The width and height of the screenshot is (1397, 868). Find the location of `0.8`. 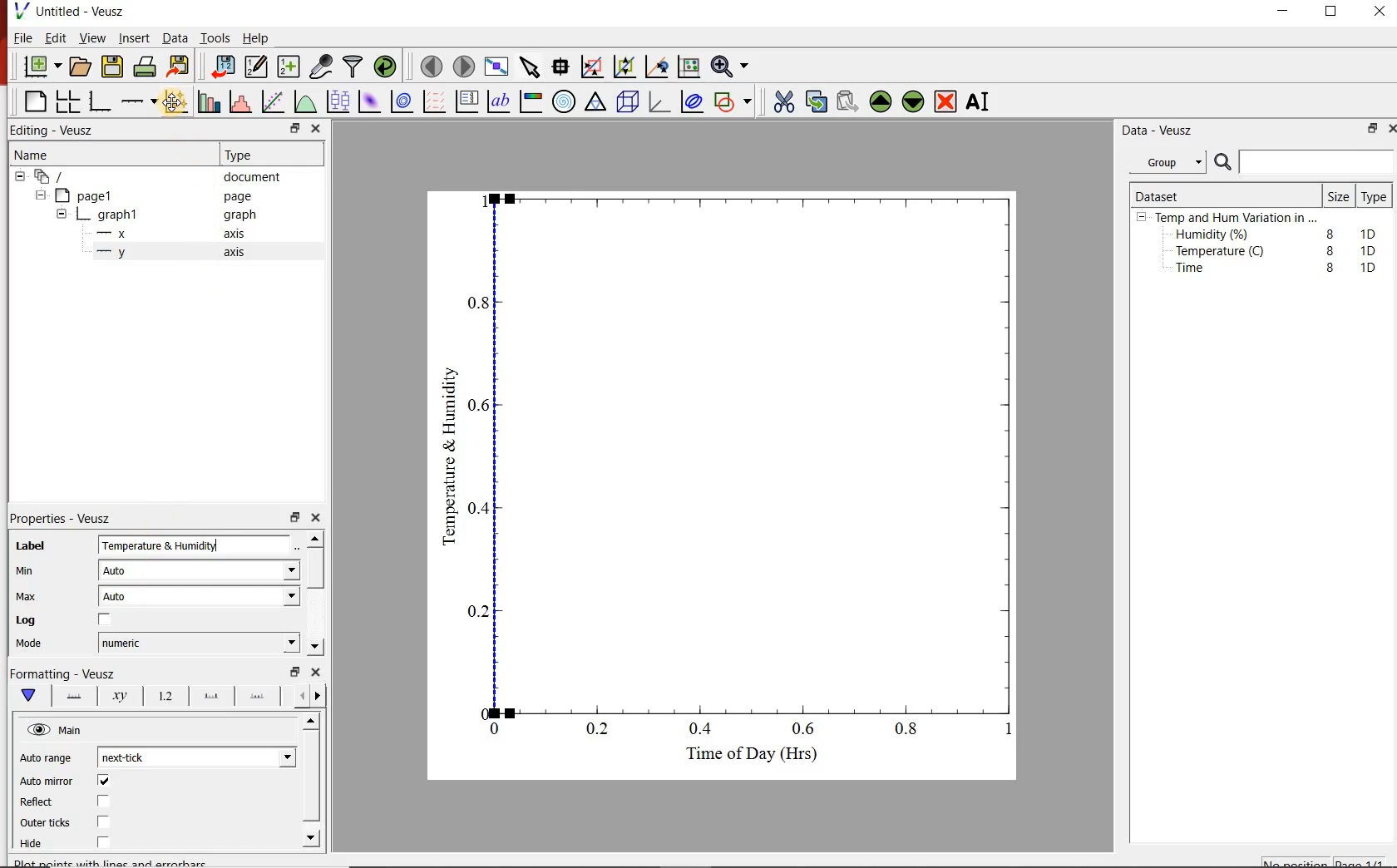

0.8 is located at coordinates (911, 732).